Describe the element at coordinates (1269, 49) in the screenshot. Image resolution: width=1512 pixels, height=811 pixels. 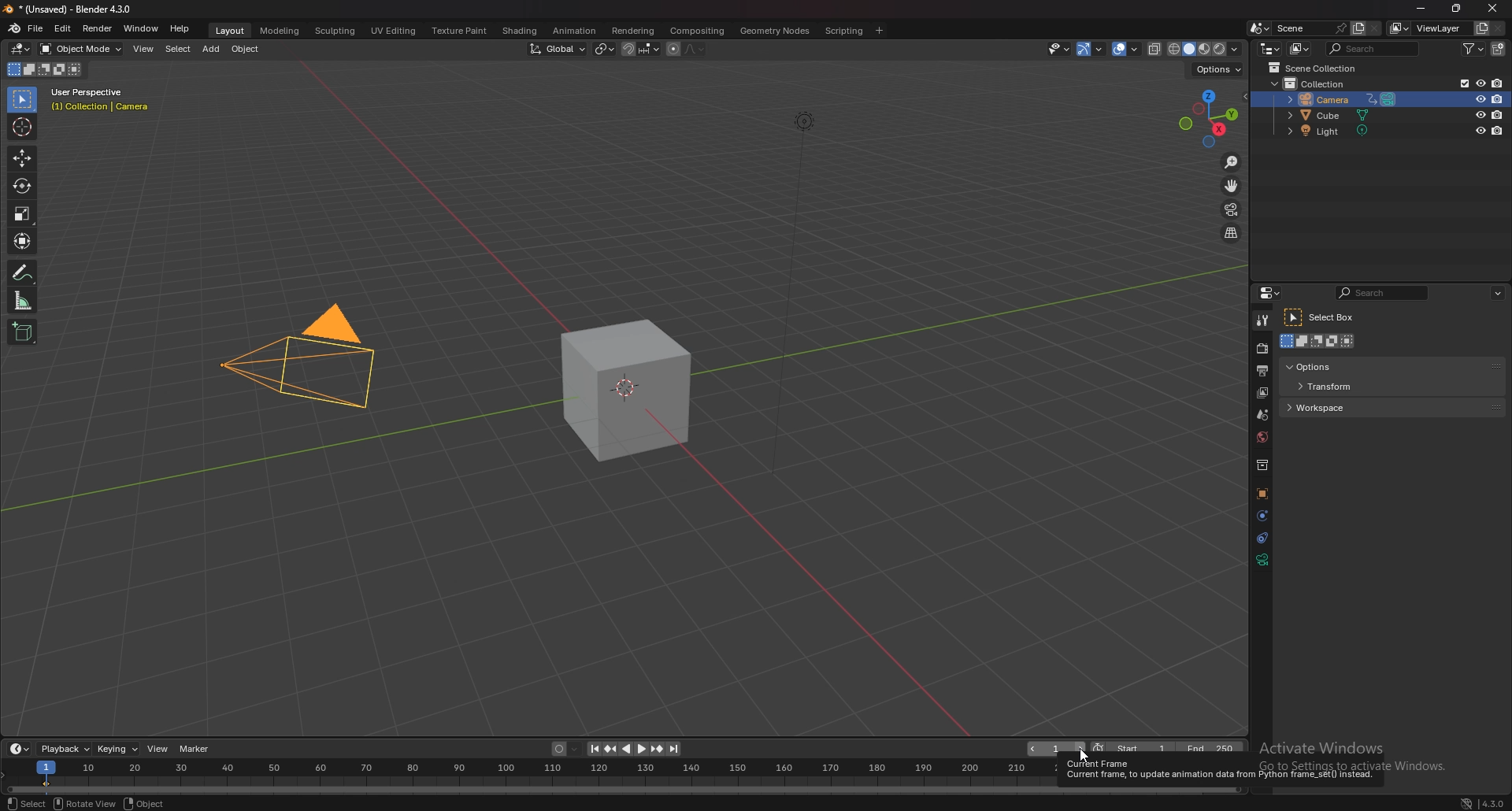
I see `editor type` at that location.